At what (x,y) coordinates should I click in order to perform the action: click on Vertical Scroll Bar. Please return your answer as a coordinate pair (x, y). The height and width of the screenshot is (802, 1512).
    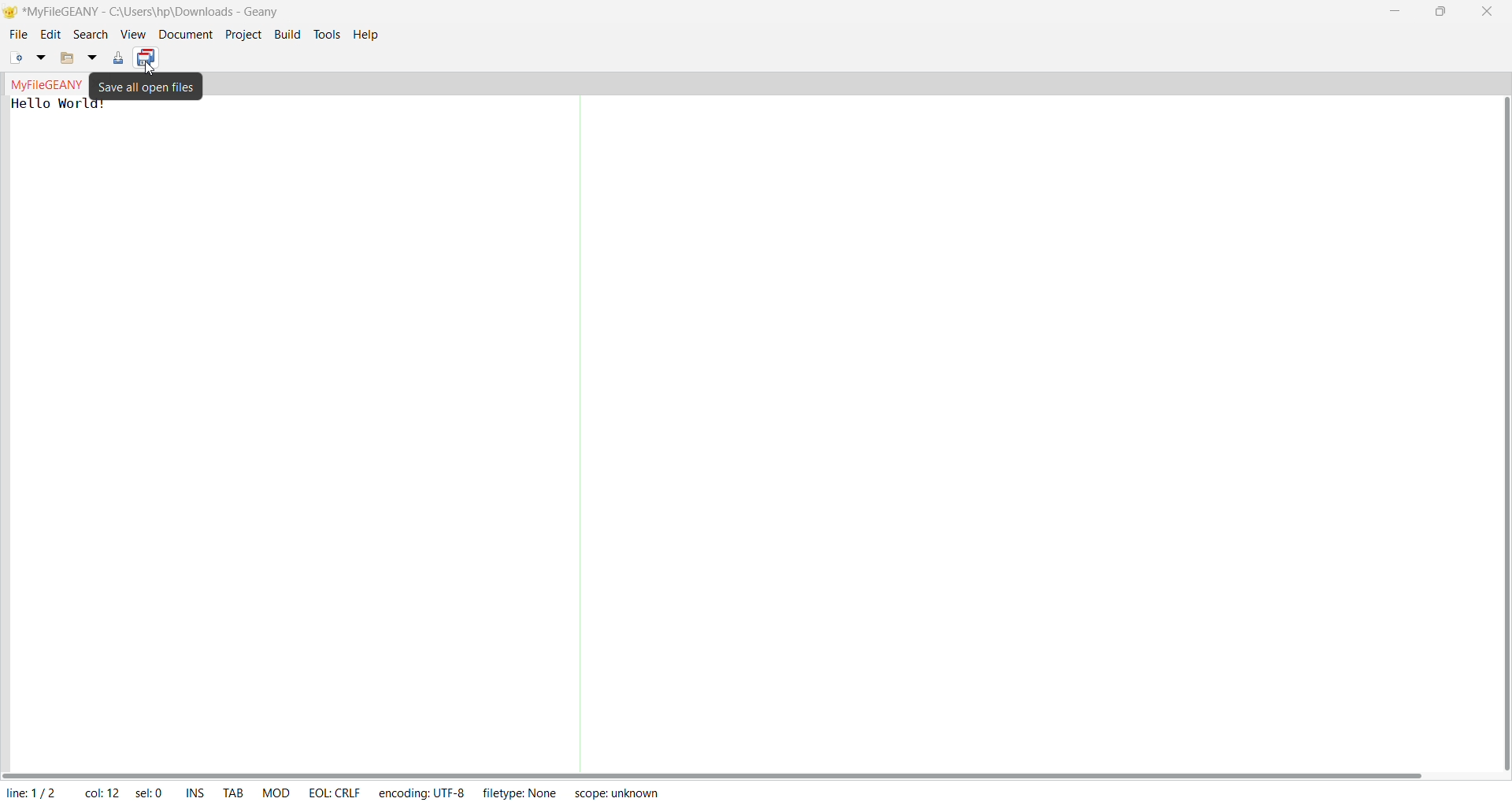
    Looking at the image, I should click on (1503, 431).